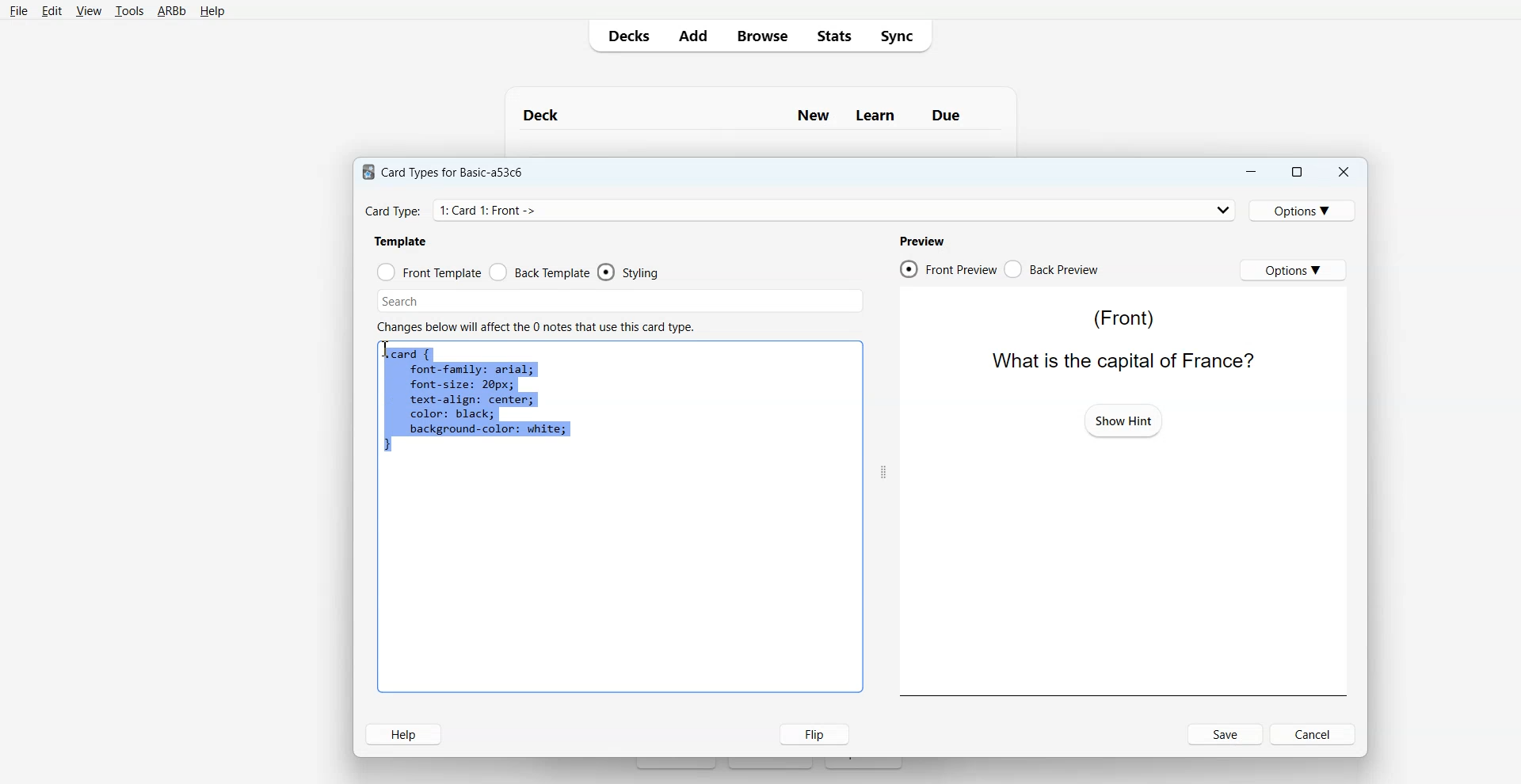 The height and width of the screenshot is (784, 1521). Describe the element at coordinates (1123, 420) in the screenshot. I see `Show Hint` at that location.